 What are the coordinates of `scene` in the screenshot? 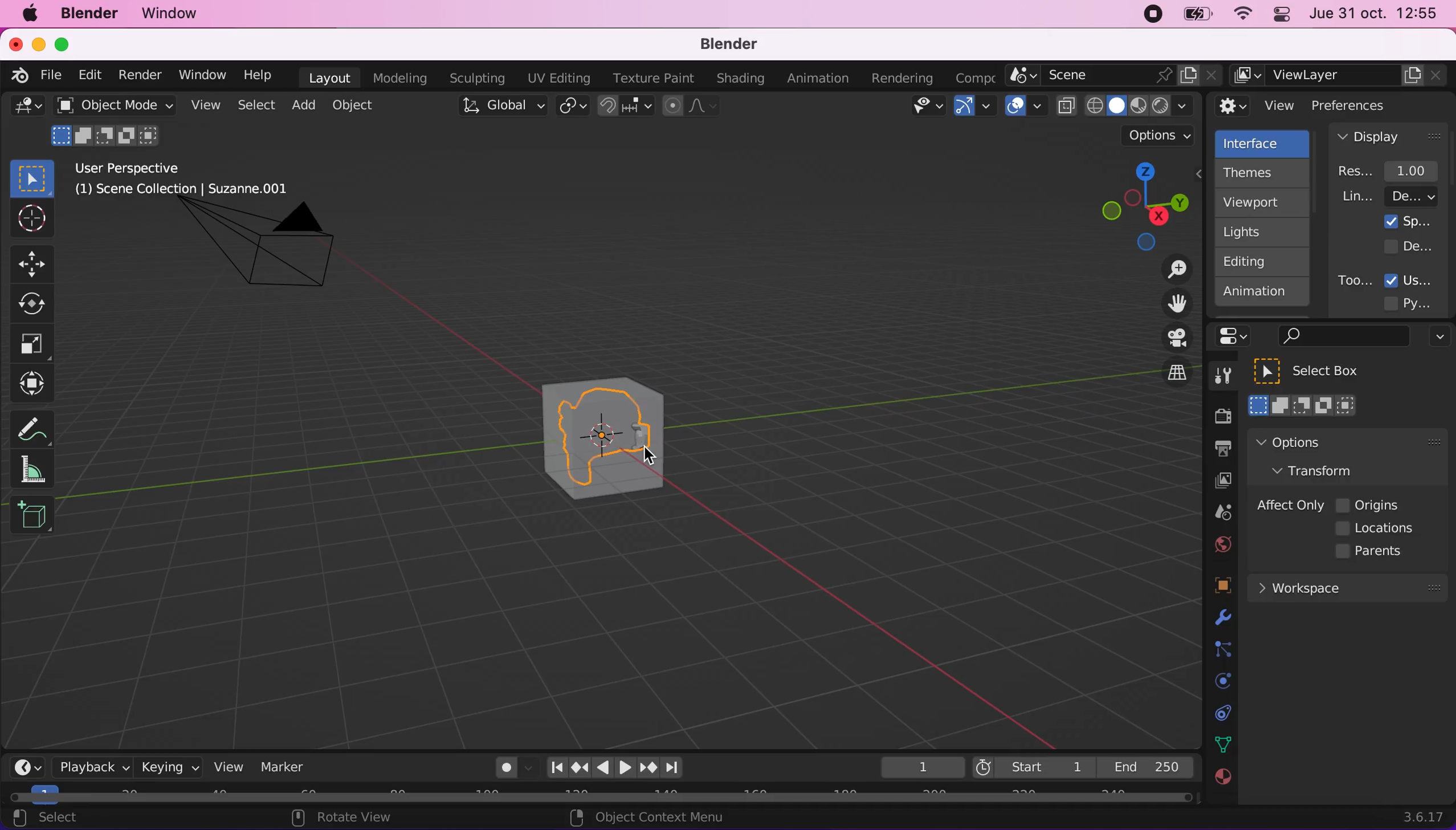 It's located at (1114, 76).